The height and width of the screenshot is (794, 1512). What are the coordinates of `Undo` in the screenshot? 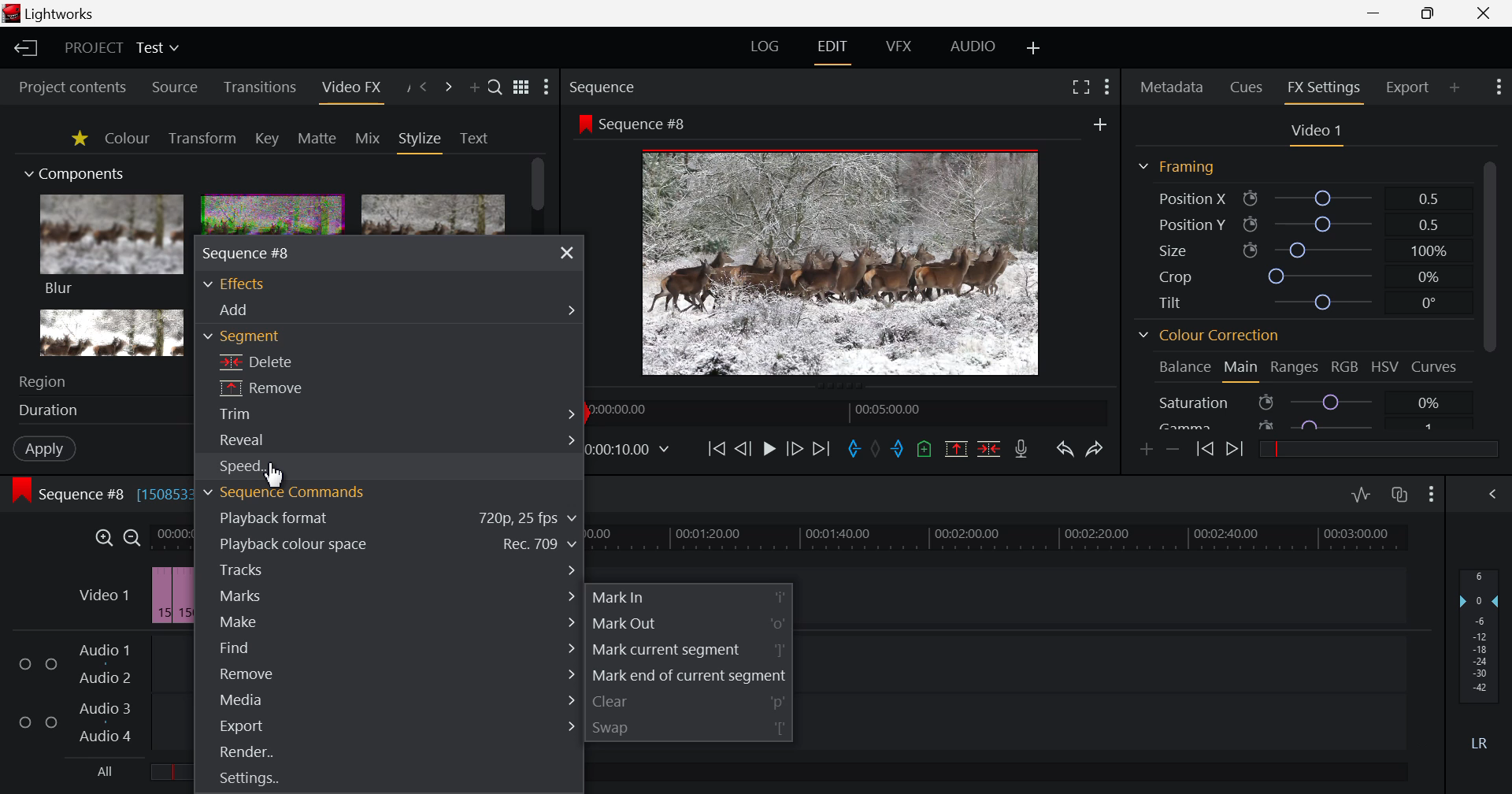 It's located at (1065, 451).